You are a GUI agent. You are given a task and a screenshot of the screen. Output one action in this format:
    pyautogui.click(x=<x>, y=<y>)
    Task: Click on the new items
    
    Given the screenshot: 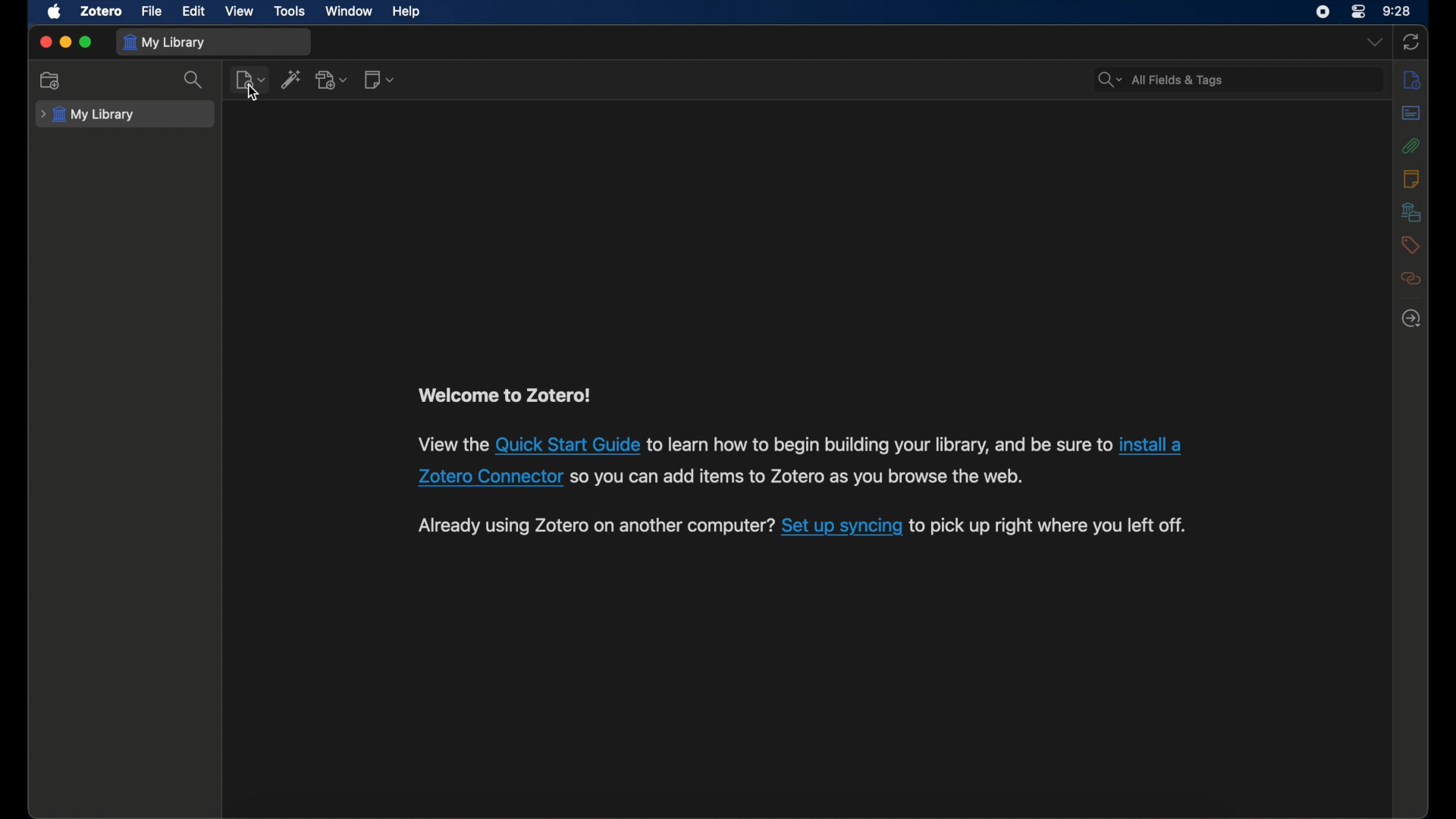 What is the action you would take?
    pyautogui.click(x=250, y=80)
    